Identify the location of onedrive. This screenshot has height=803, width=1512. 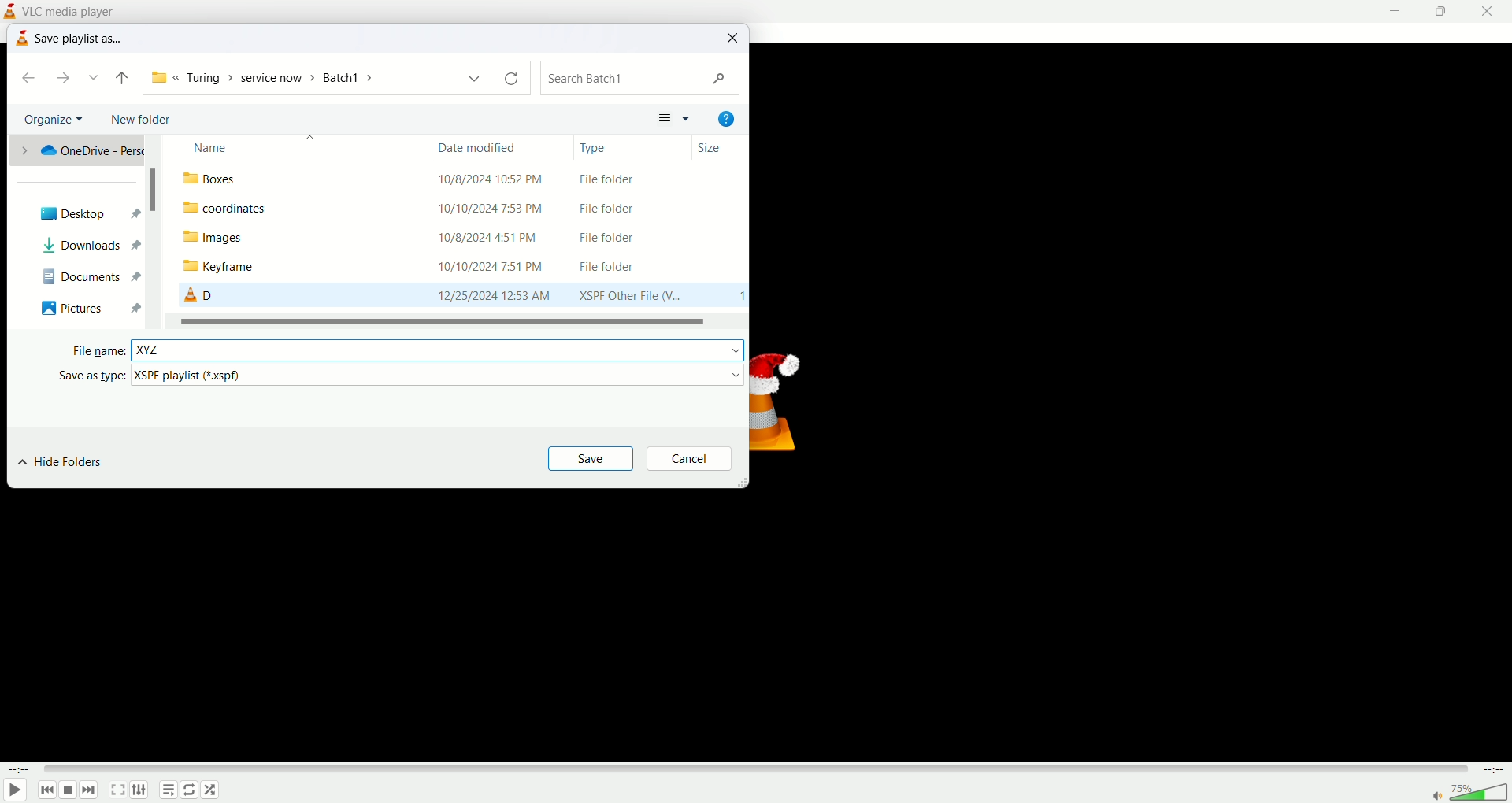
(78, 149).